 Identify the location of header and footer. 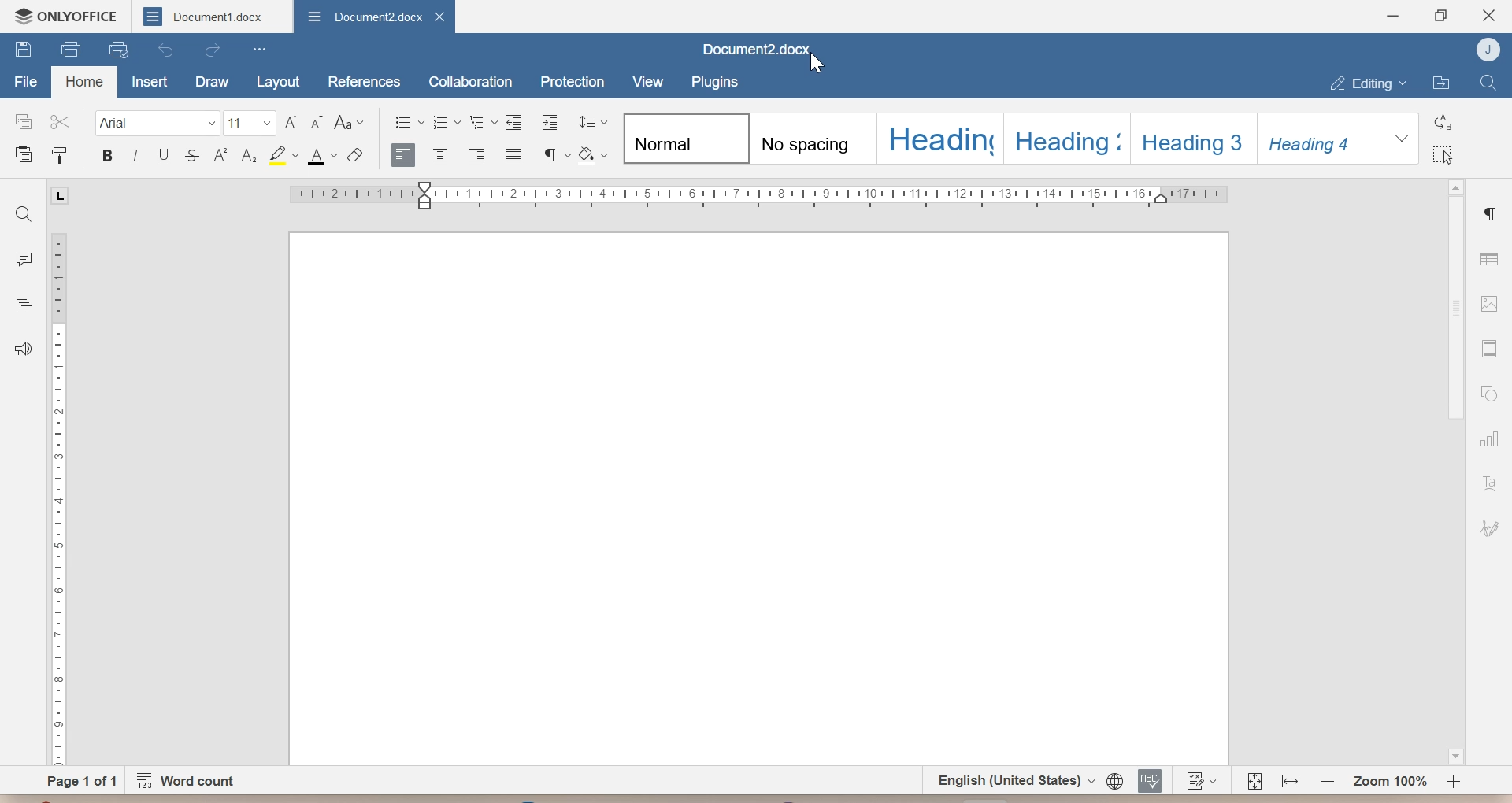
(1488, 349).